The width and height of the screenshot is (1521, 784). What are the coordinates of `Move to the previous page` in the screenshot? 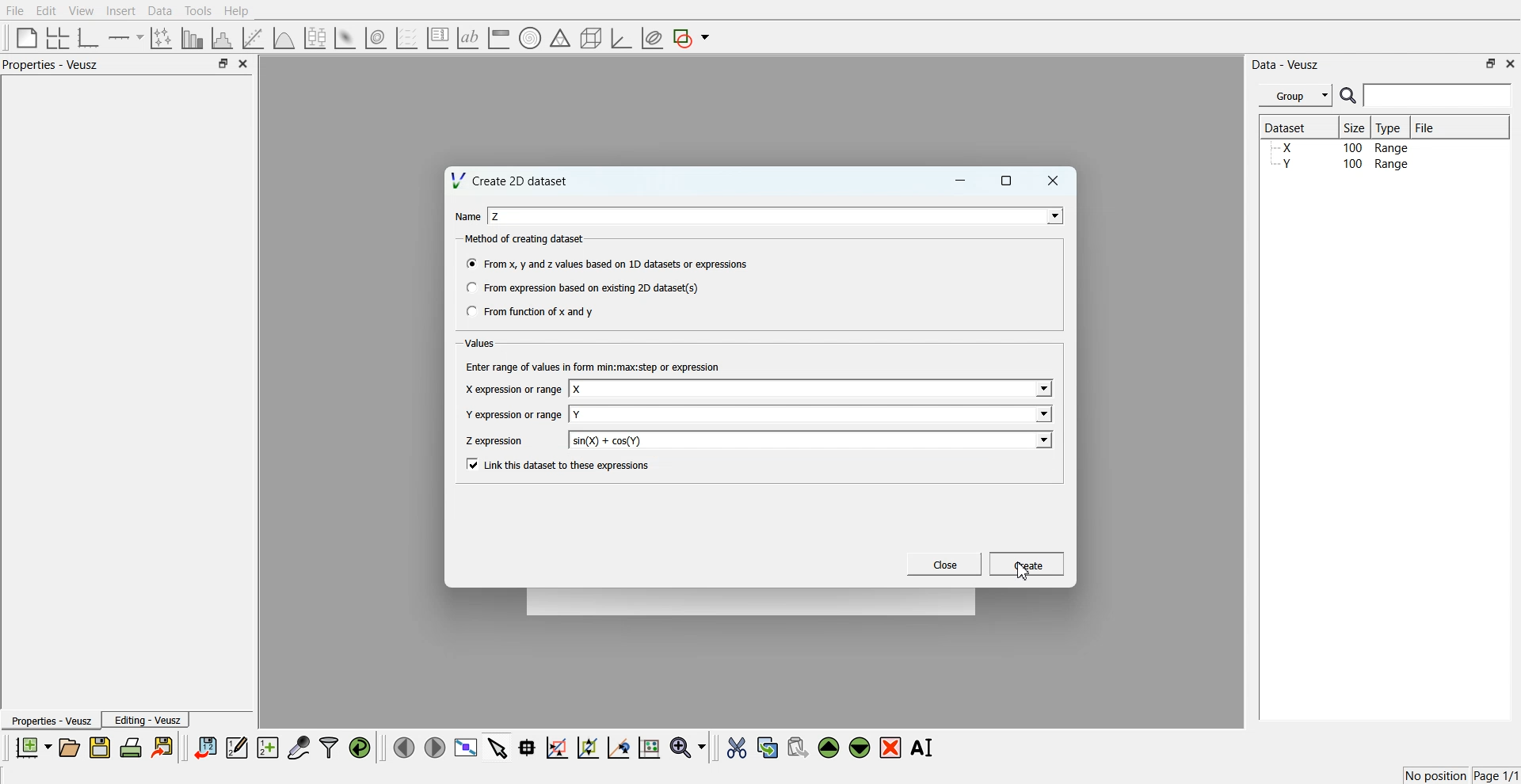 It's located at (404, 747).